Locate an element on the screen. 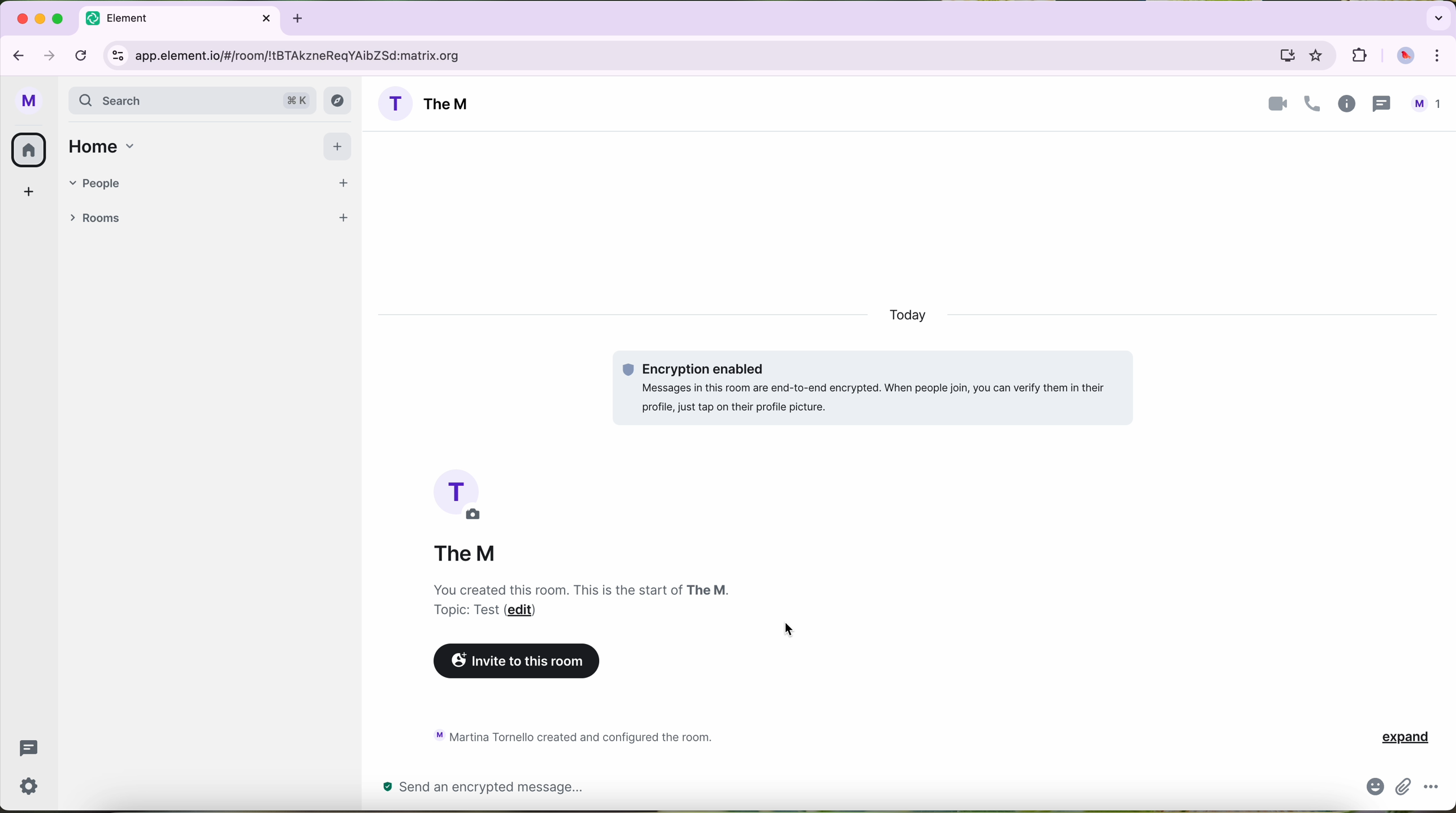  computer is located at coordinates (1286, 55).